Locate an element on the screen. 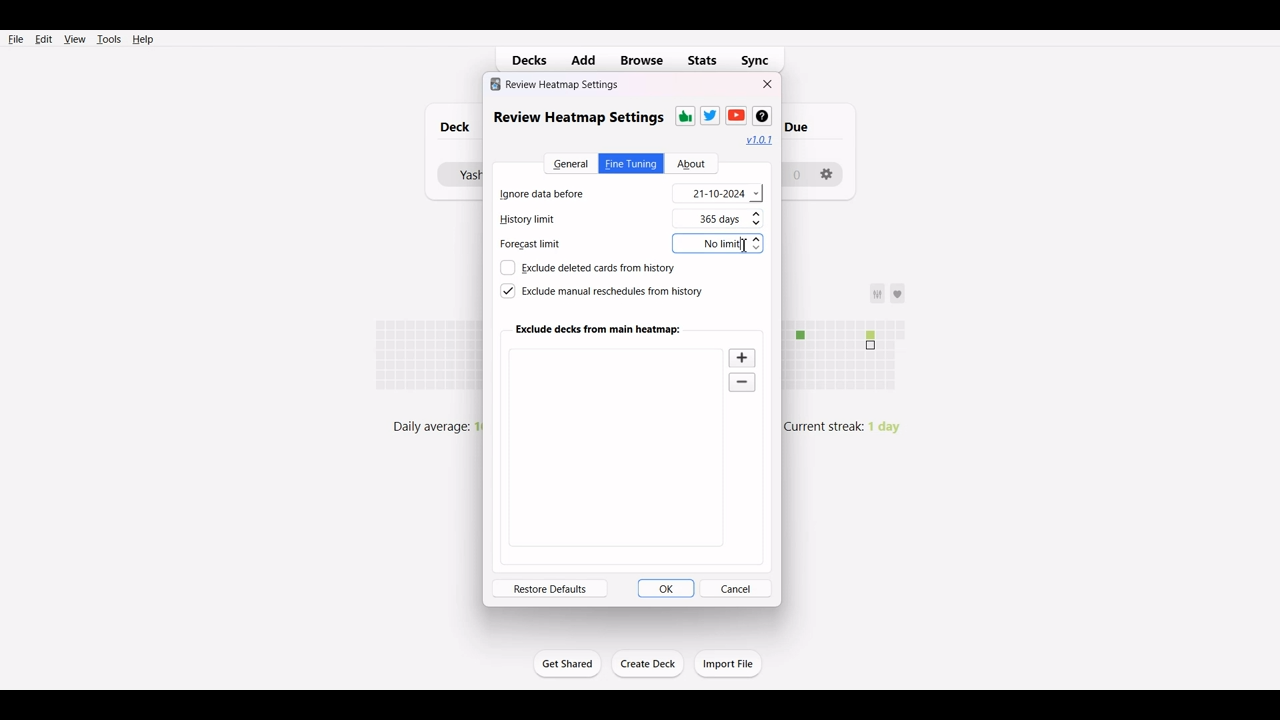  General is located at coordinates (569, 163).